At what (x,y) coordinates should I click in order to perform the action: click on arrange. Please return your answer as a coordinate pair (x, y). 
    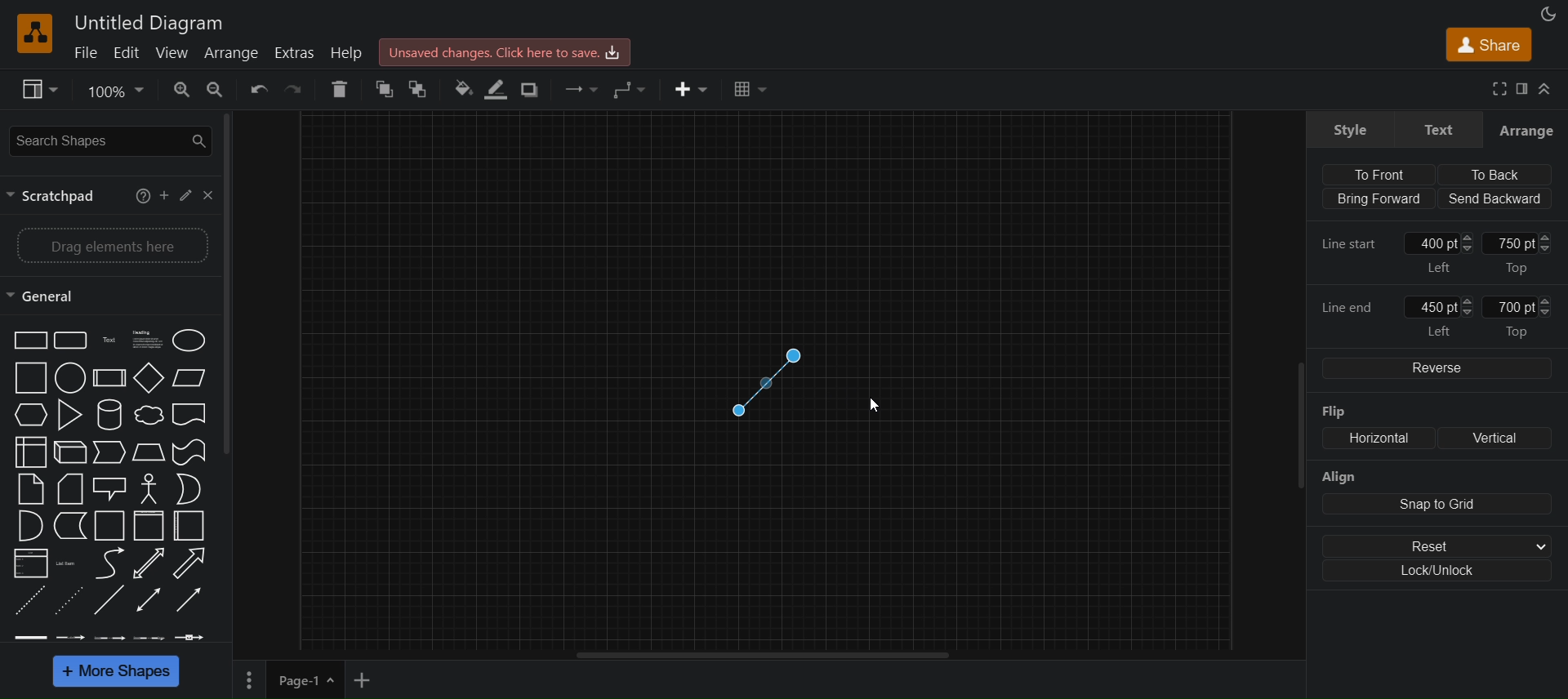
    Looking at the image, I should click on (233, 52).